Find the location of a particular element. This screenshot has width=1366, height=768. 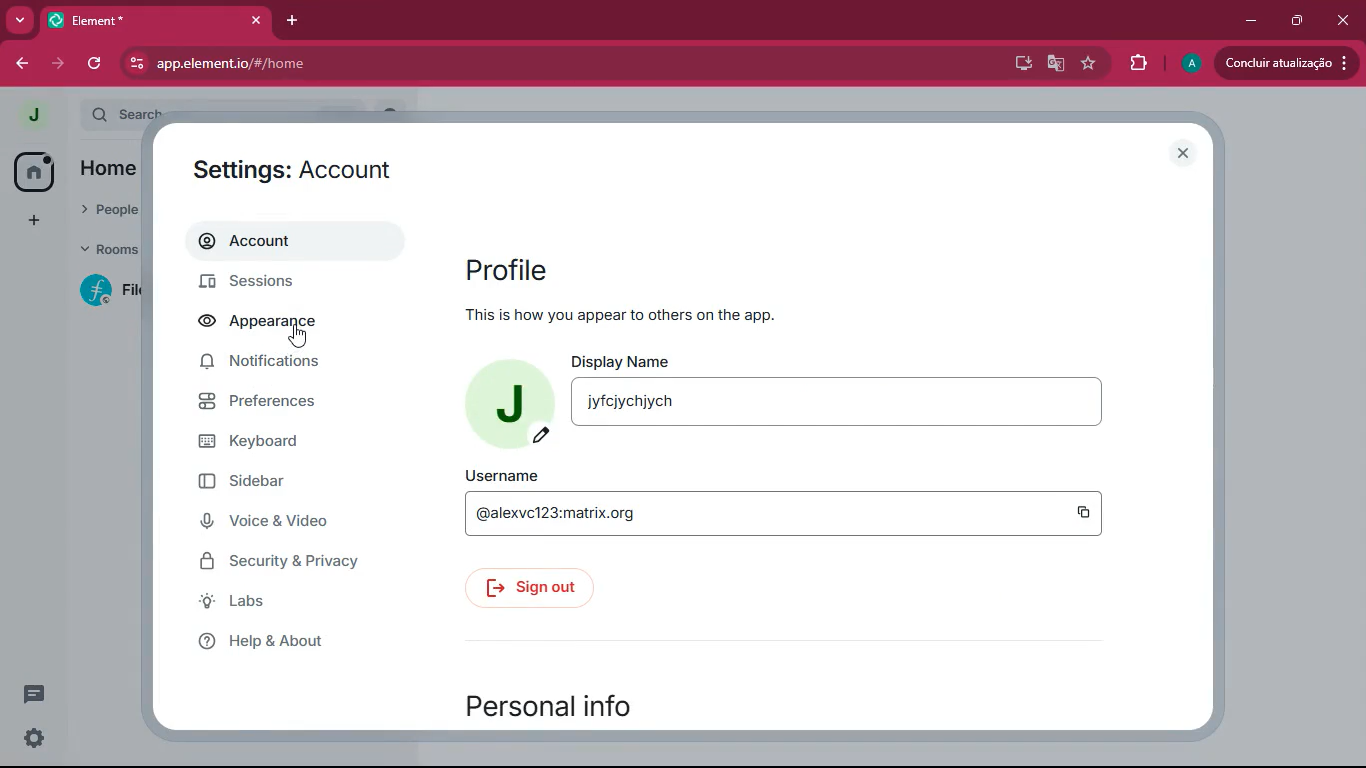

Preferences is located at coordinates (269, 400).